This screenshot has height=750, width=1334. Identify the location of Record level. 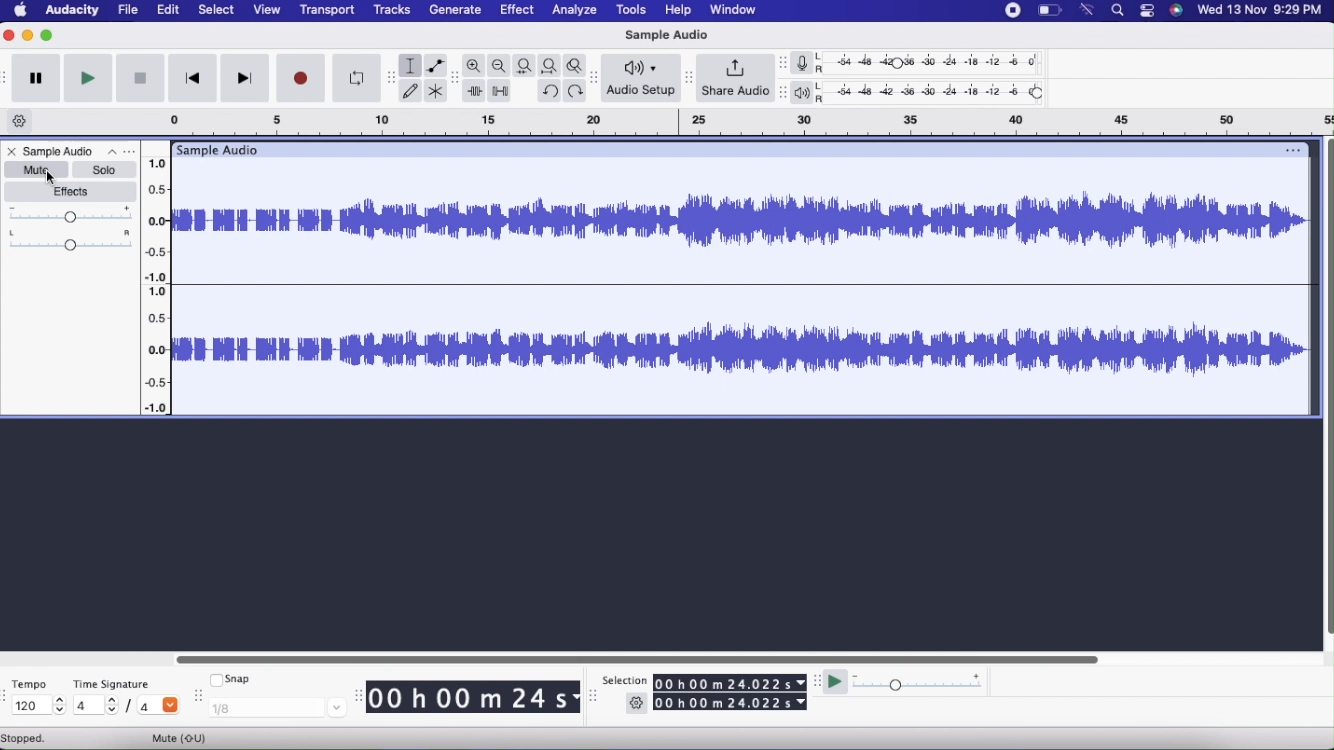
(933, 62).